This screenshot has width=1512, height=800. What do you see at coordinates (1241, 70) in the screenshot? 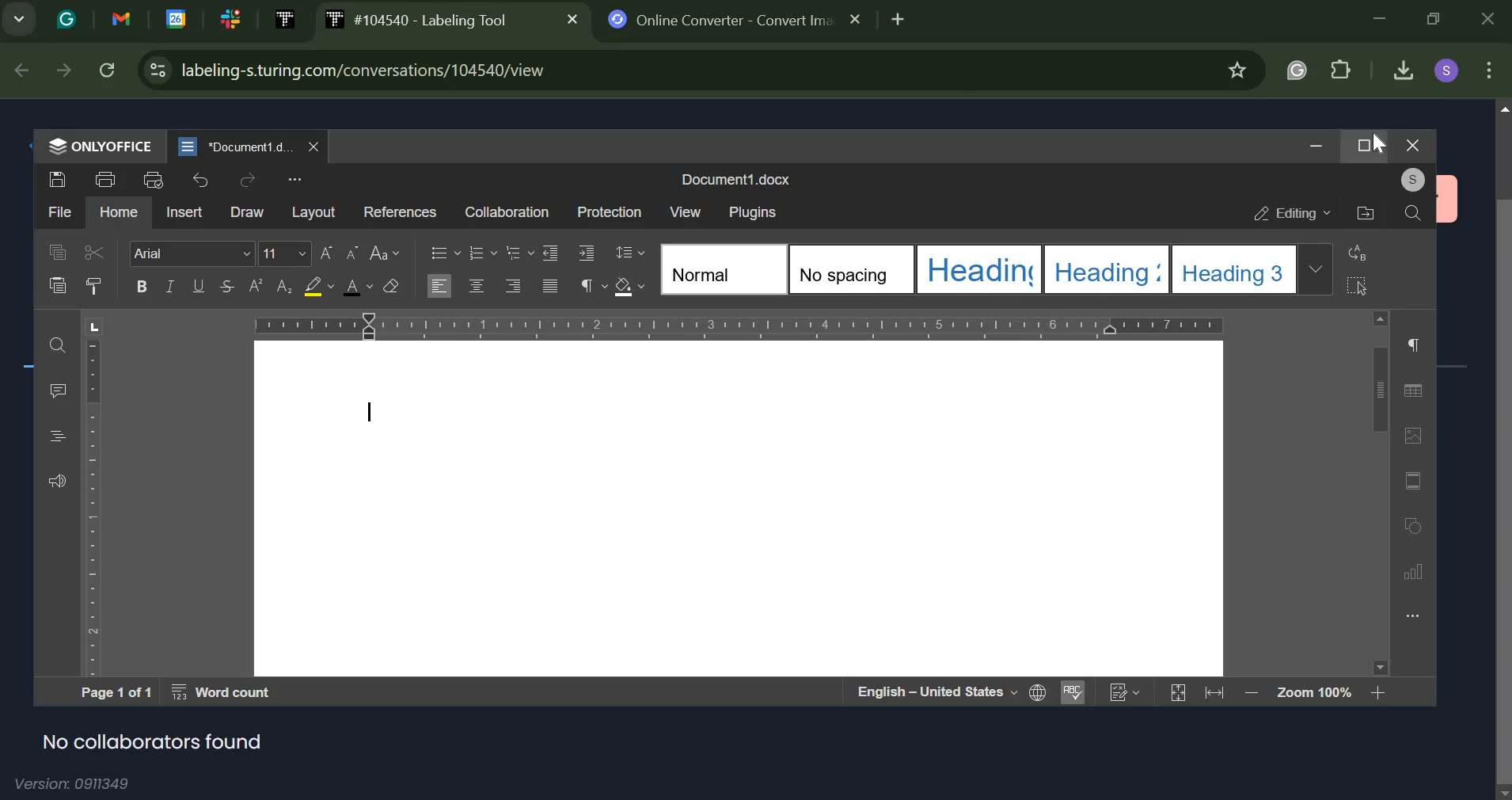
I see `Bookmarks` at bounding box center [1241, 70].